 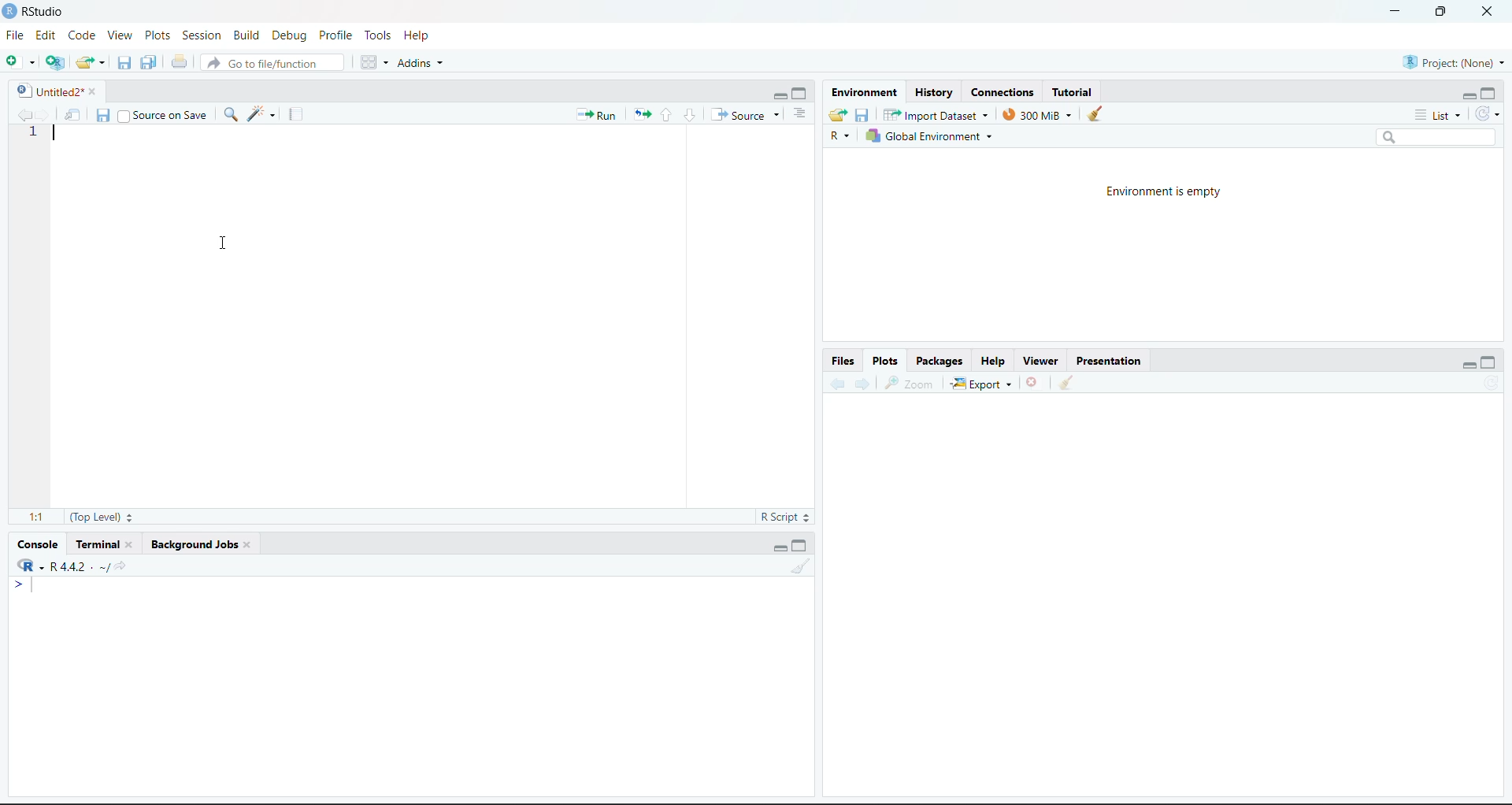 What do you see at coordinates (774, 95) in the screenshot?
I see `hide r script` at bounding box center [774, 95].